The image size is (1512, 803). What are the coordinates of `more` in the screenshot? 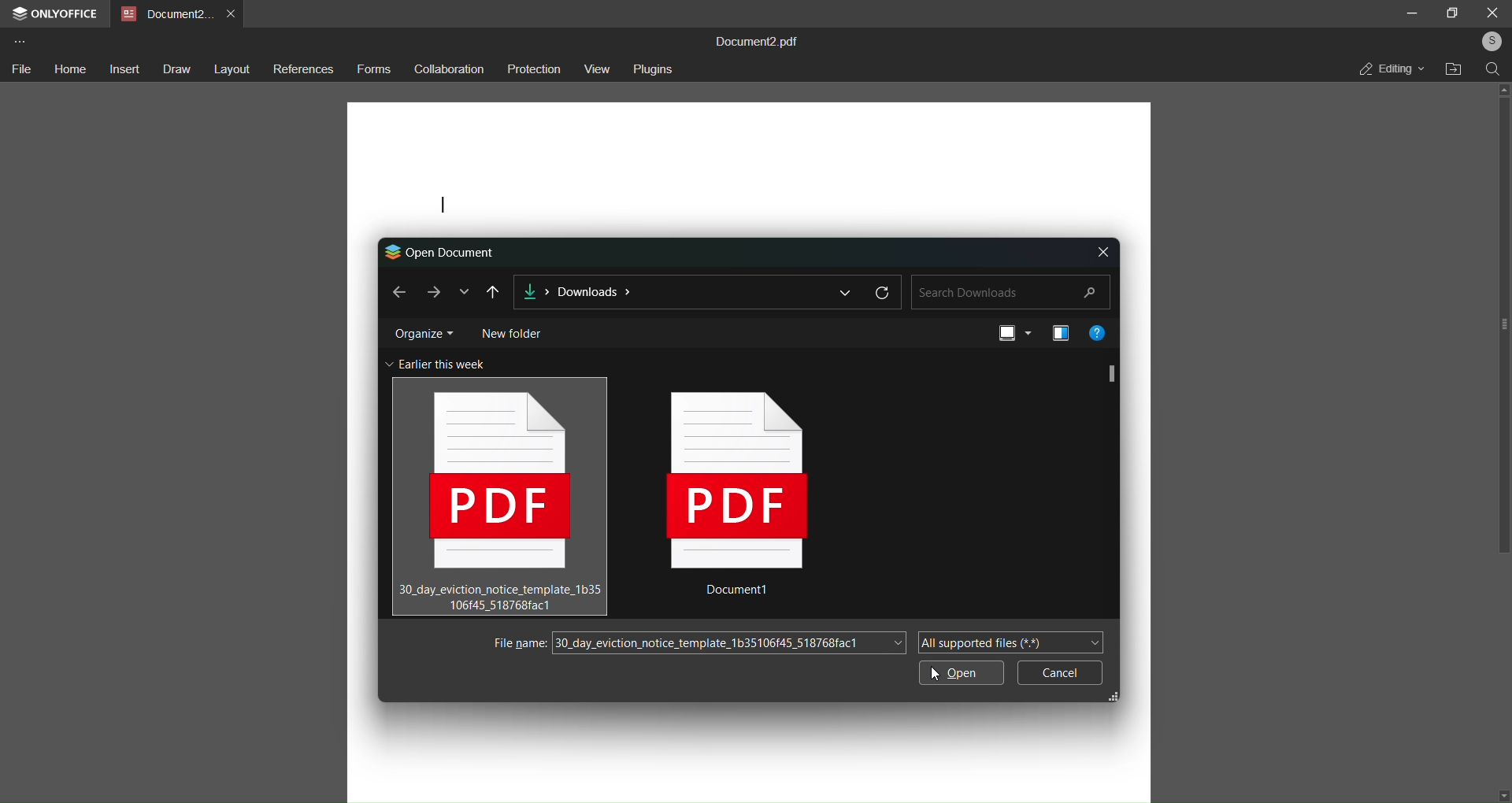 It's located at (19, 41).